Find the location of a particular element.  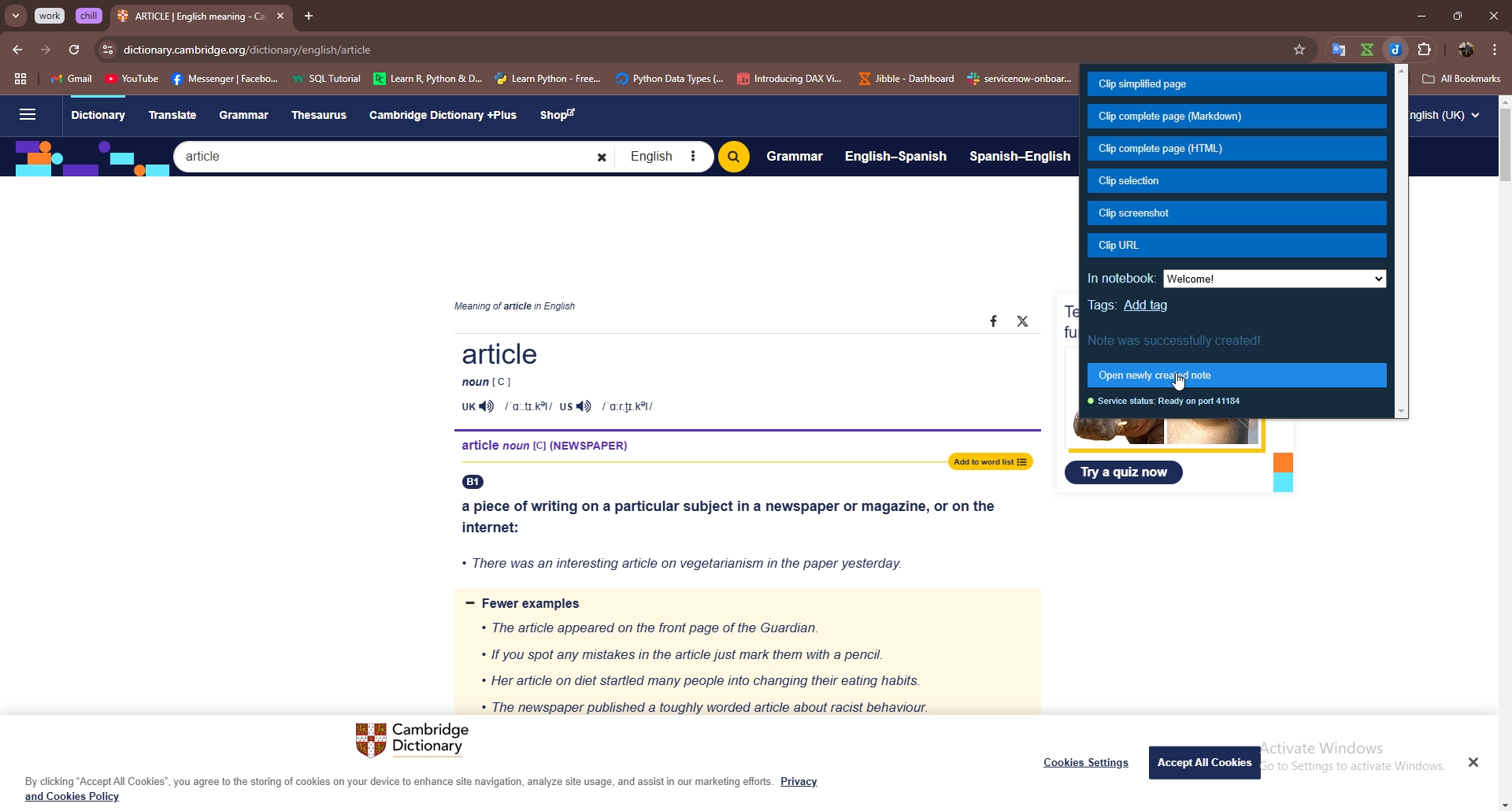

in notebook is located at coordinates (1235, 278).